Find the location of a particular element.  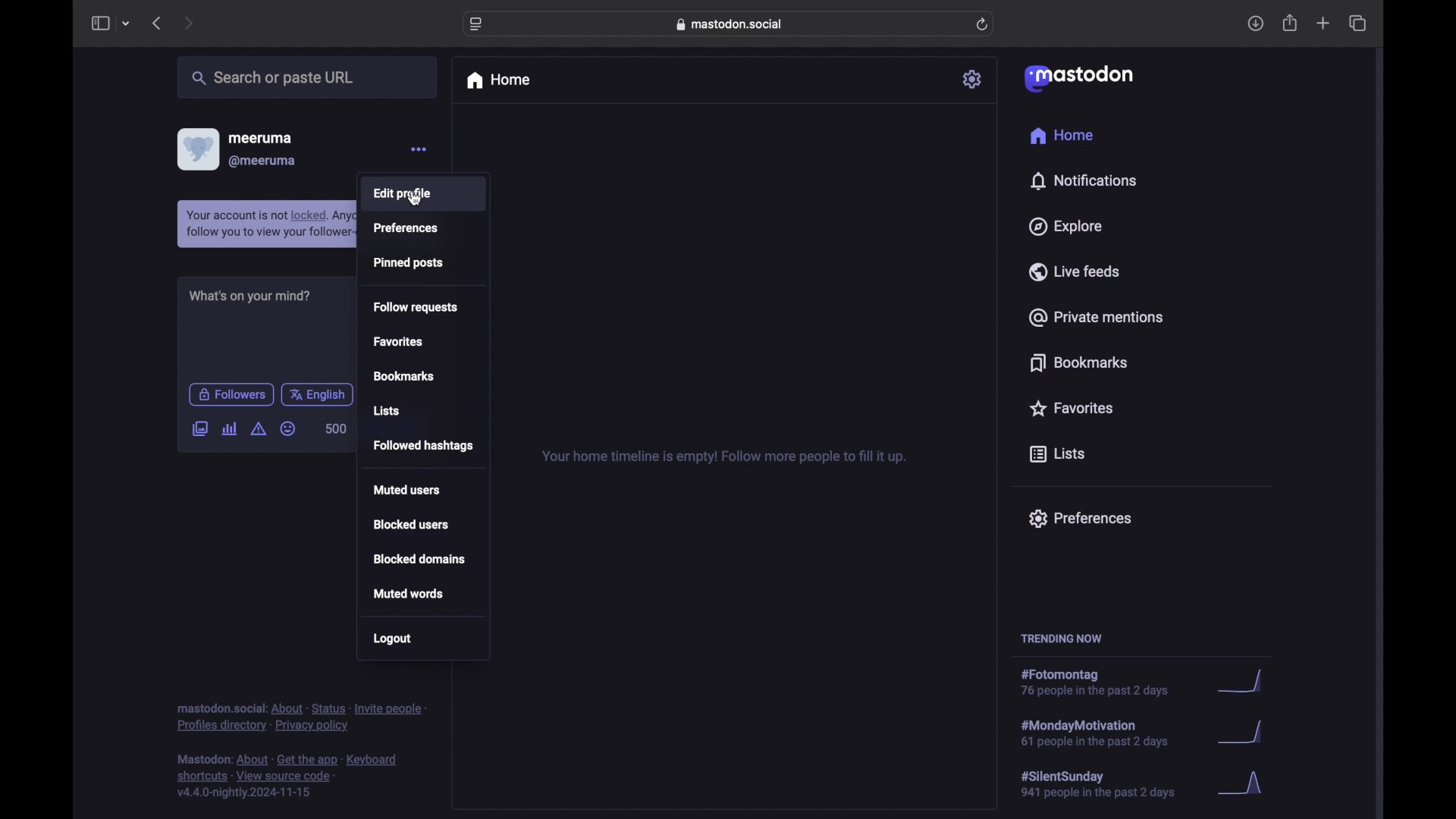

followers is located at coordinates (231, 394).